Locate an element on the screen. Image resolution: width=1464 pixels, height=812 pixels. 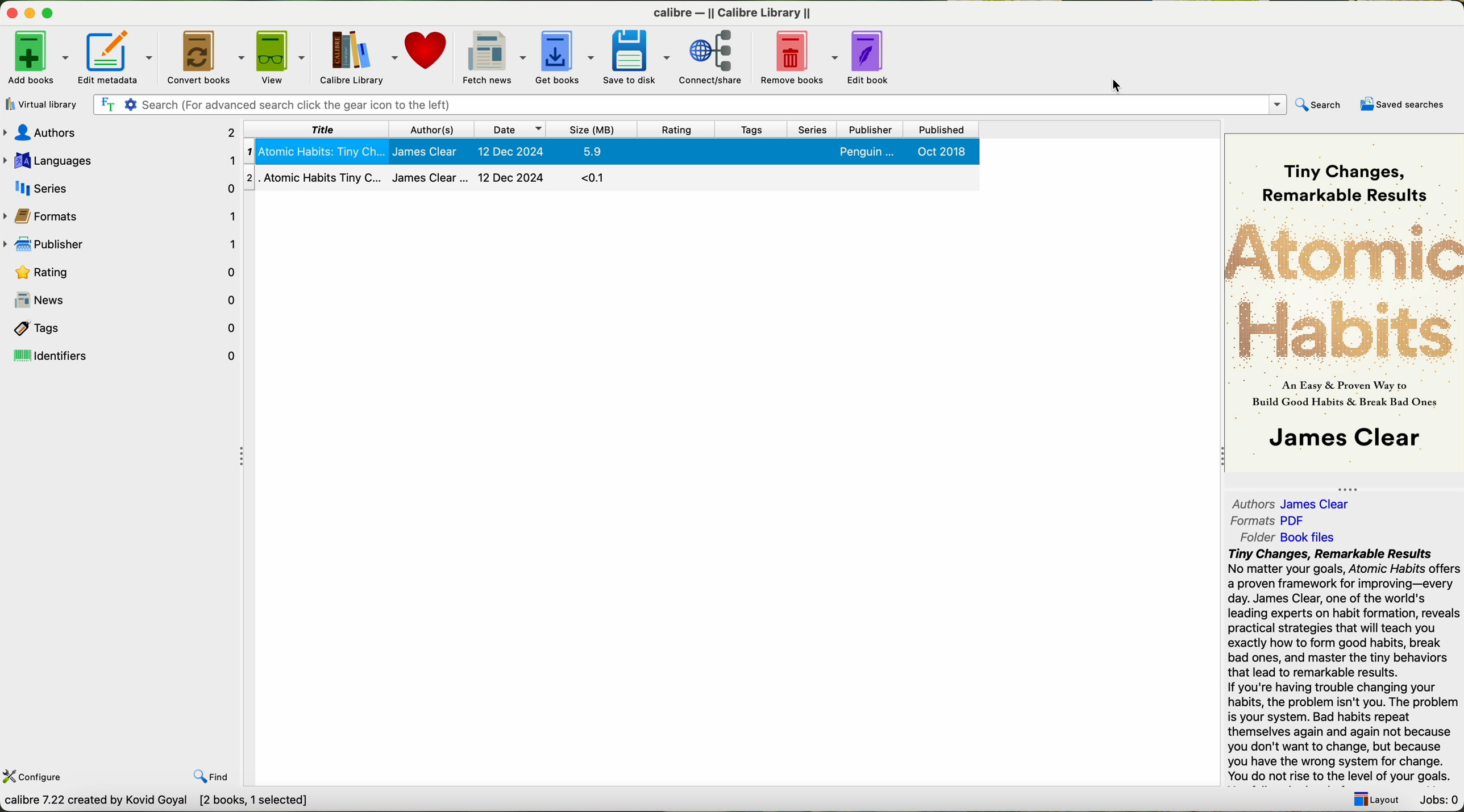
edit metadata is located at coordinates (115, 56).